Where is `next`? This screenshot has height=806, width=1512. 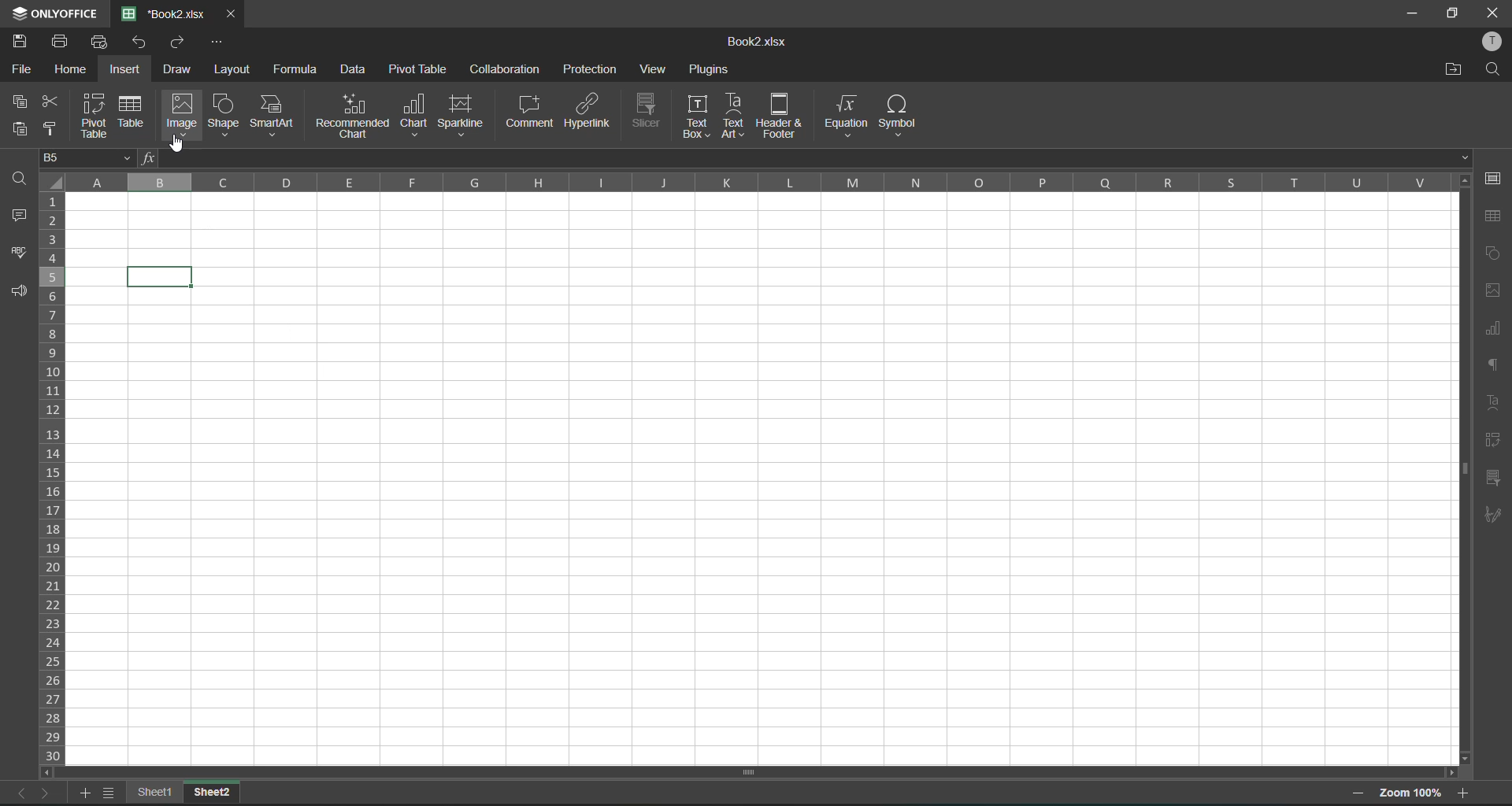
next is located at coordinates (48, 792).